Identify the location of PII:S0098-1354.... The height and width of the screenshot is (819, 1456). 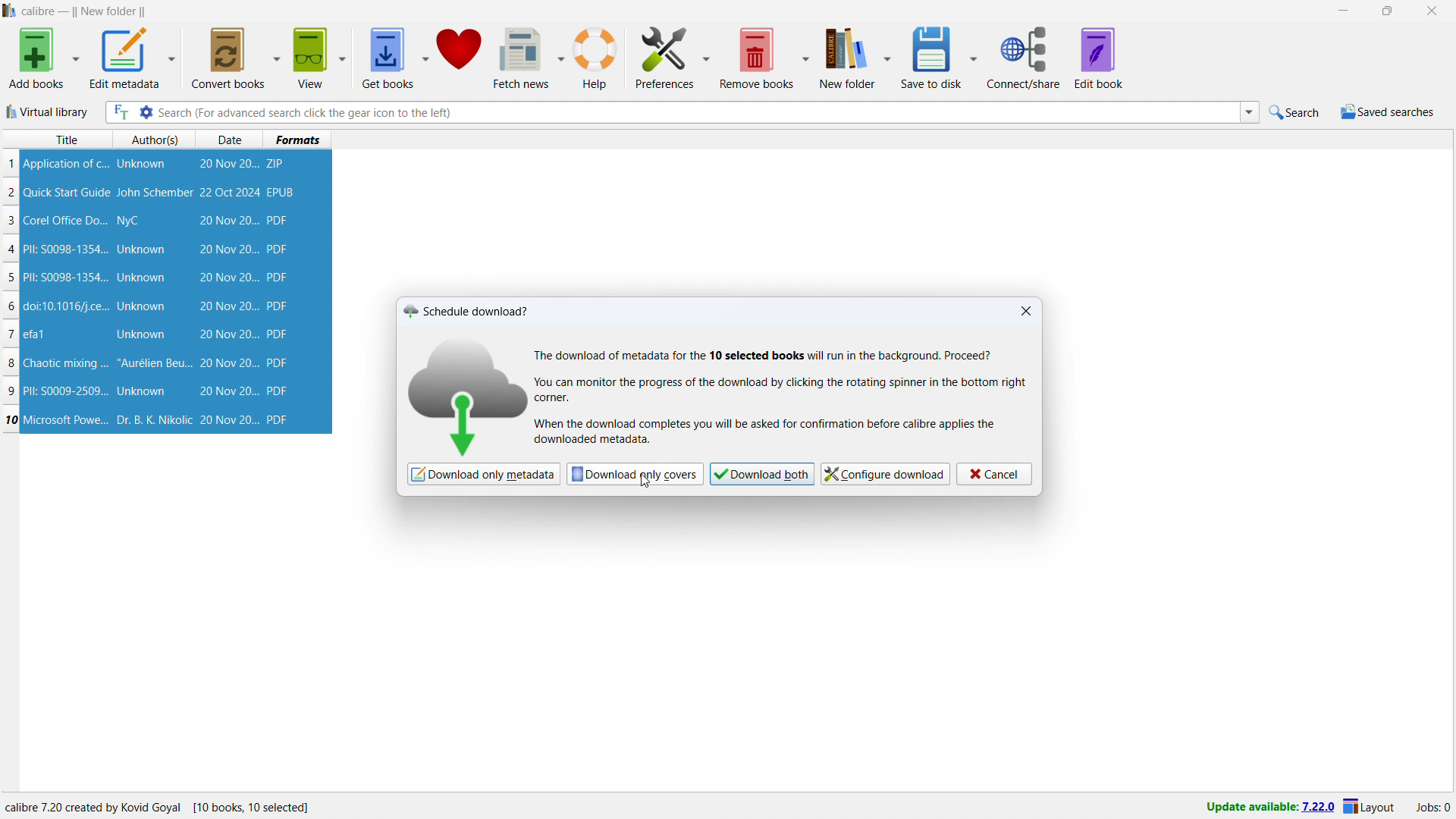
(66, 278).